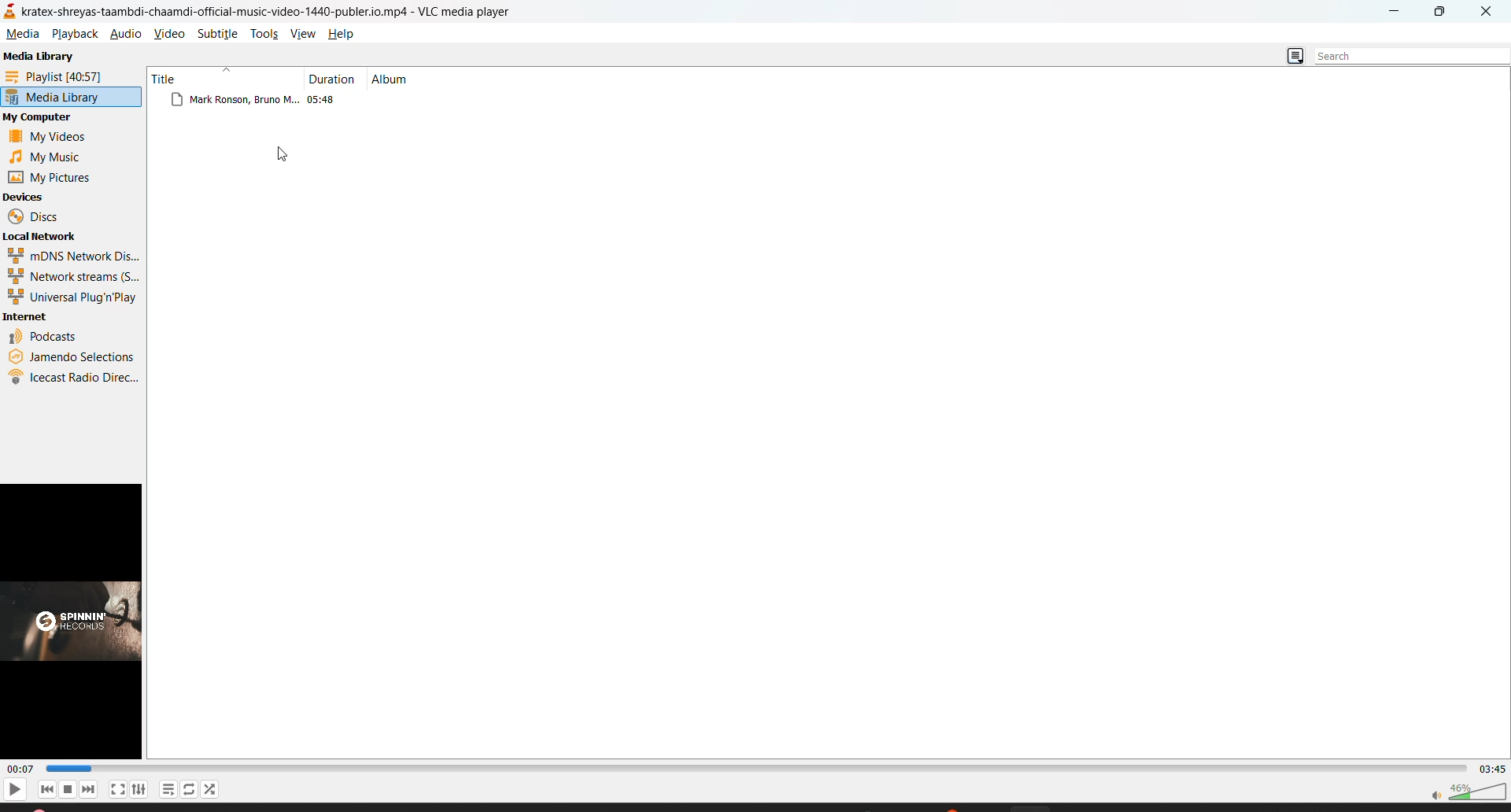 This screenshot has height=812, width=1511. What do you see at coordinates (305, 35) in the screenshot?
I see `view` at bounding box center [305, 35].